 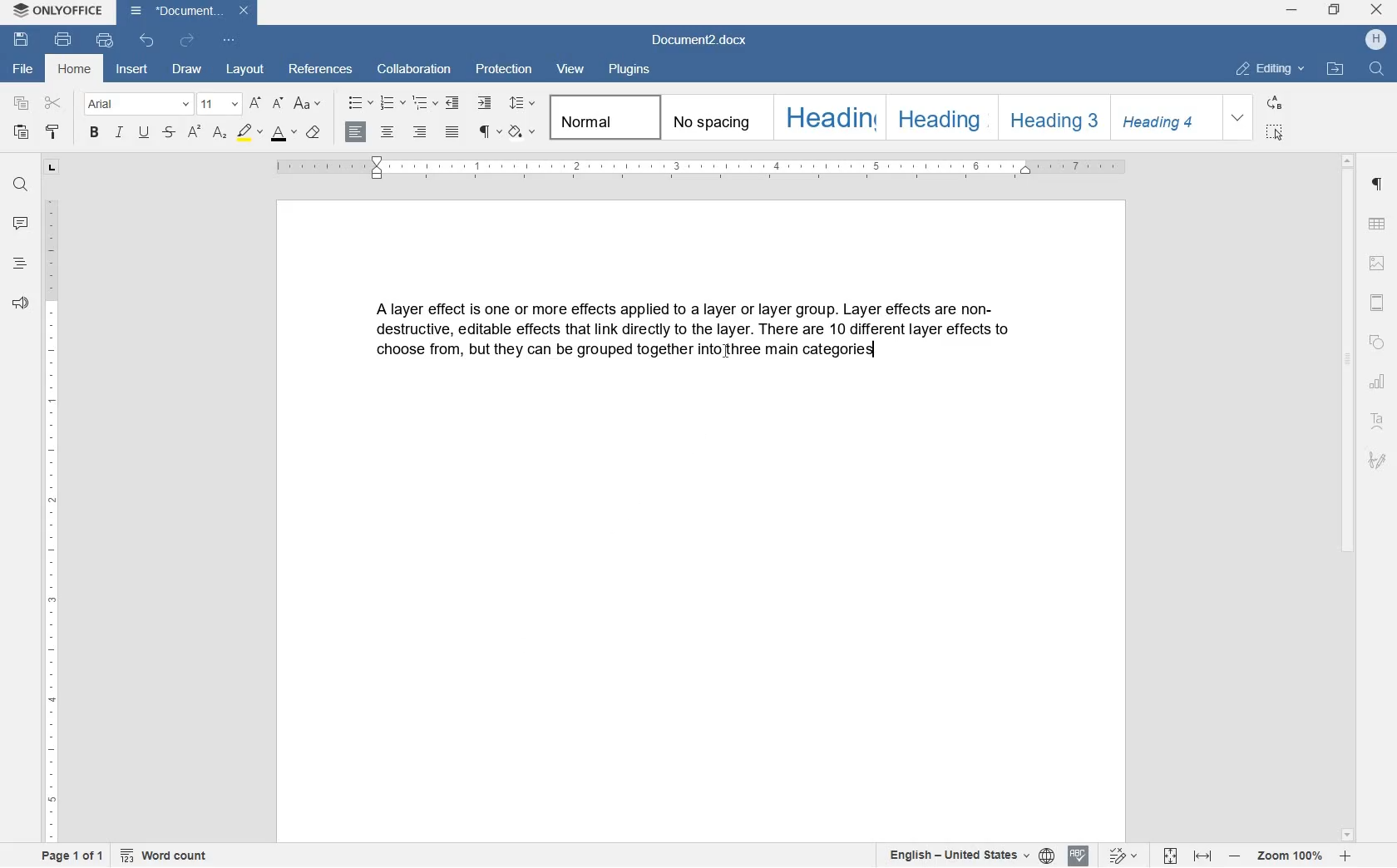 I want to click on replace, so click(x=1276, y=104).